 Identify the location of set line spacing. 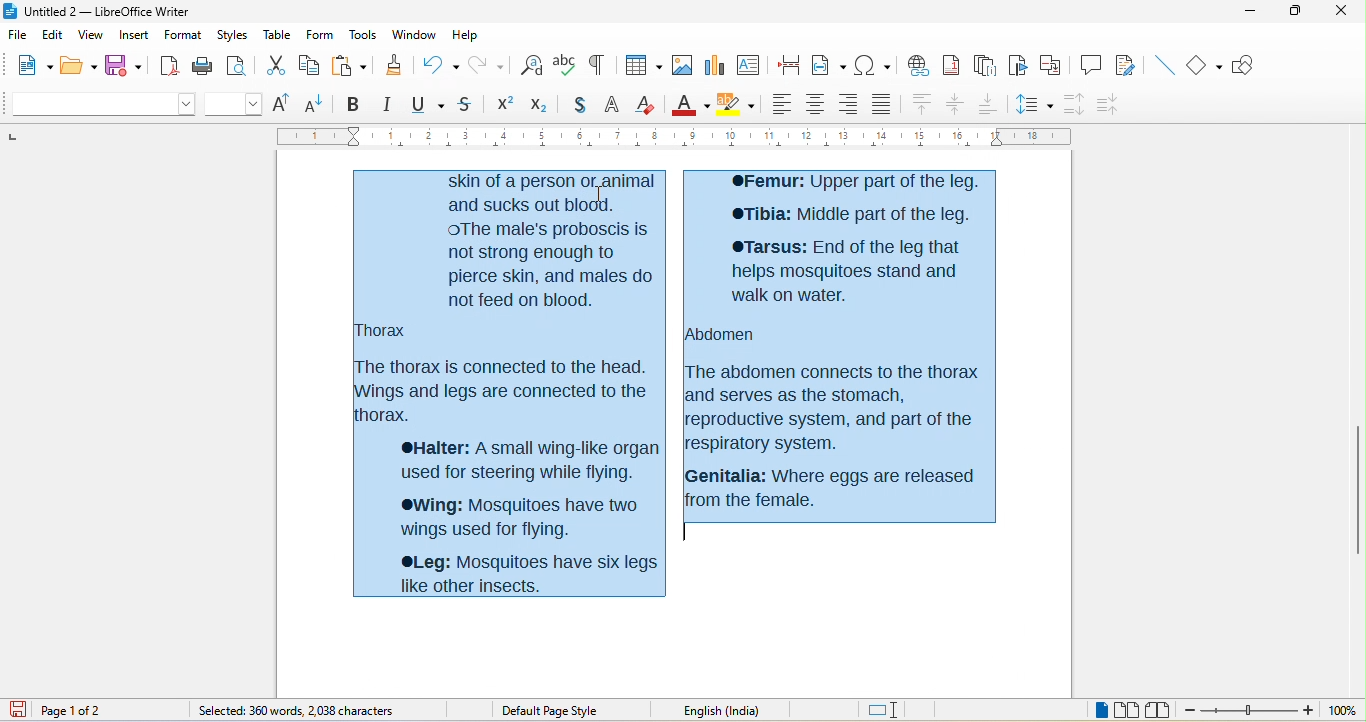
(1034, 106).